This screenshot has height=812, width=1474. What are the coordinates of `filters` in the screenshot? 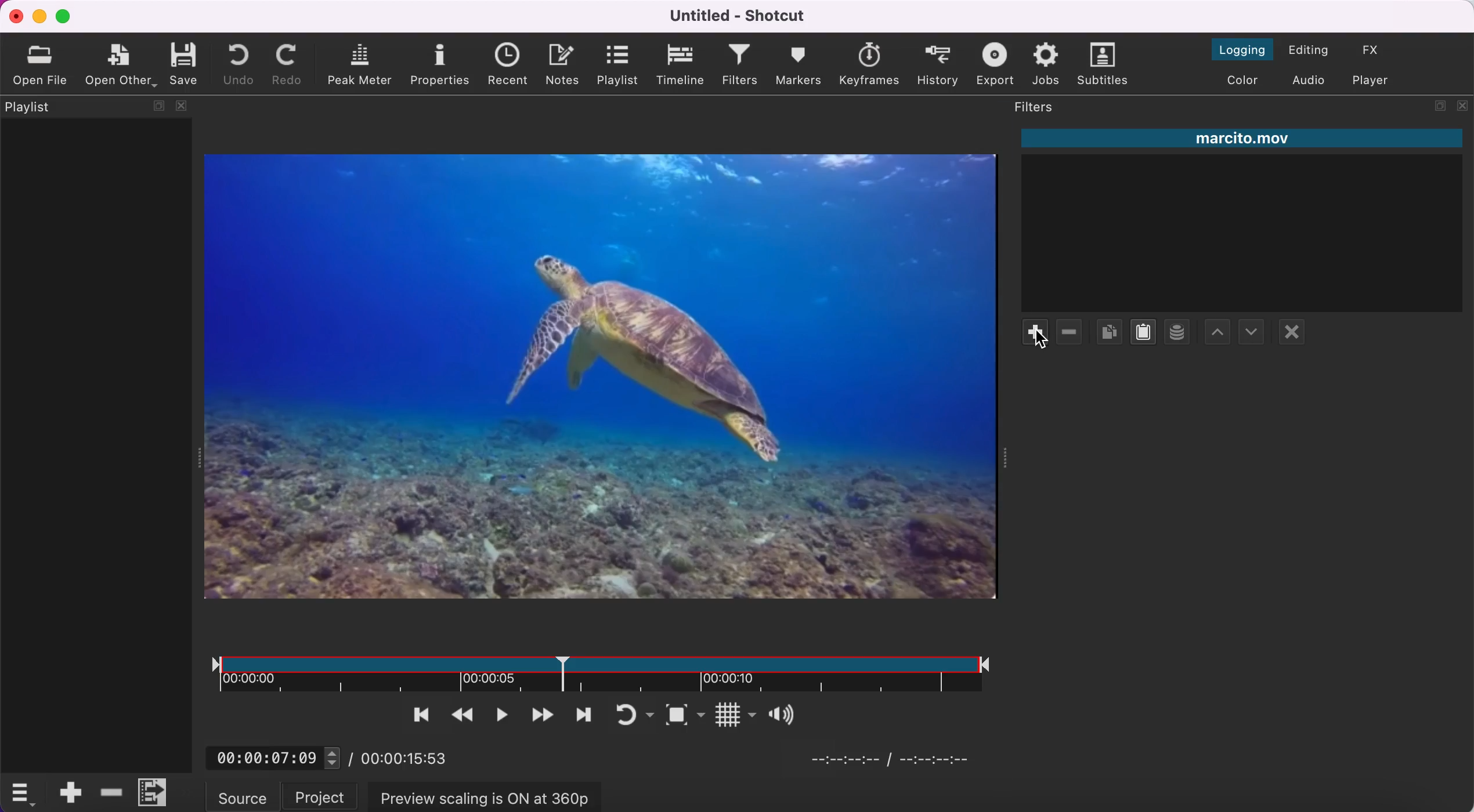 It's located at (737, 66).